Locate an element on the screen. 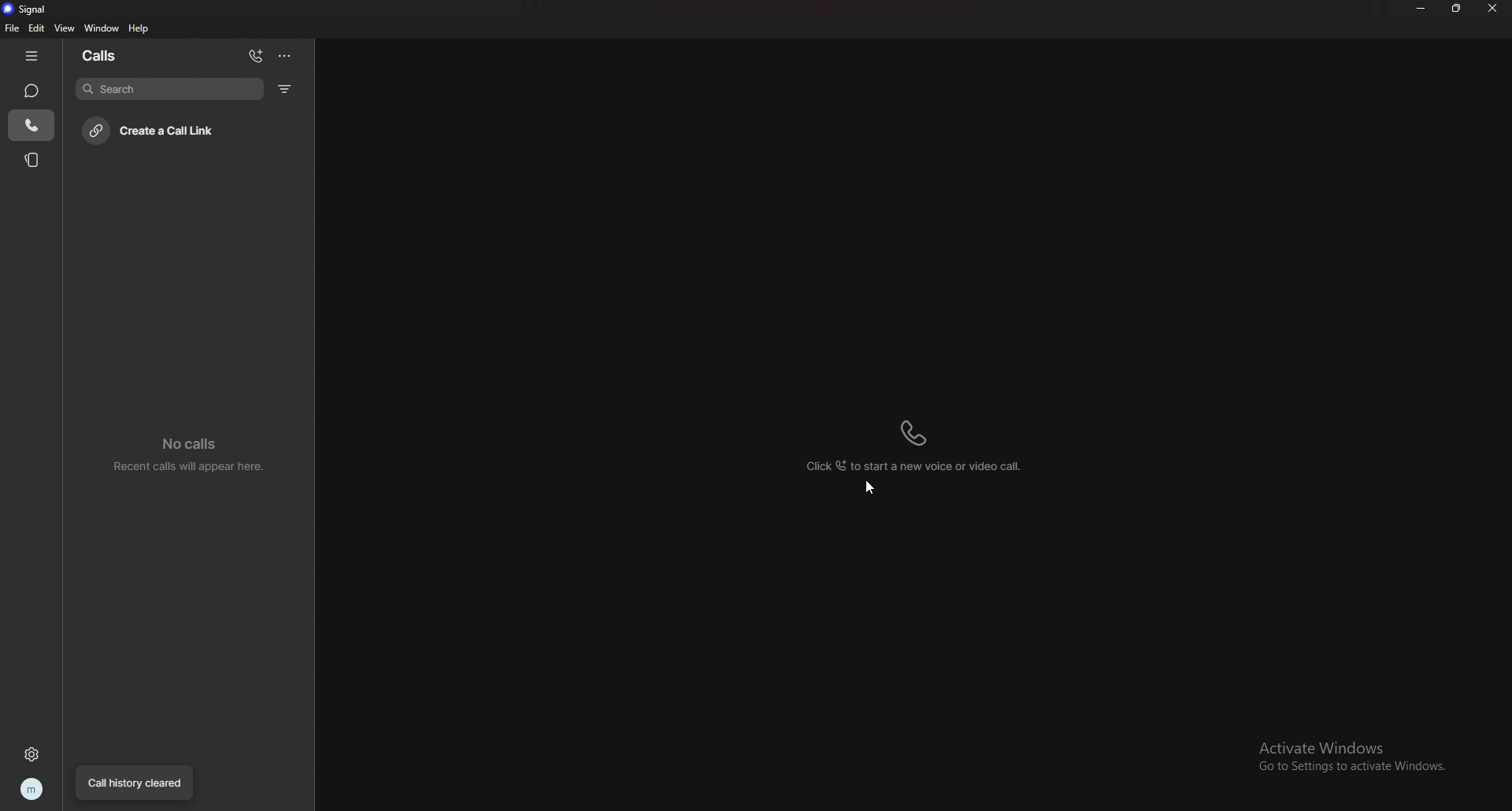  file is located at coordinates (13, 28).